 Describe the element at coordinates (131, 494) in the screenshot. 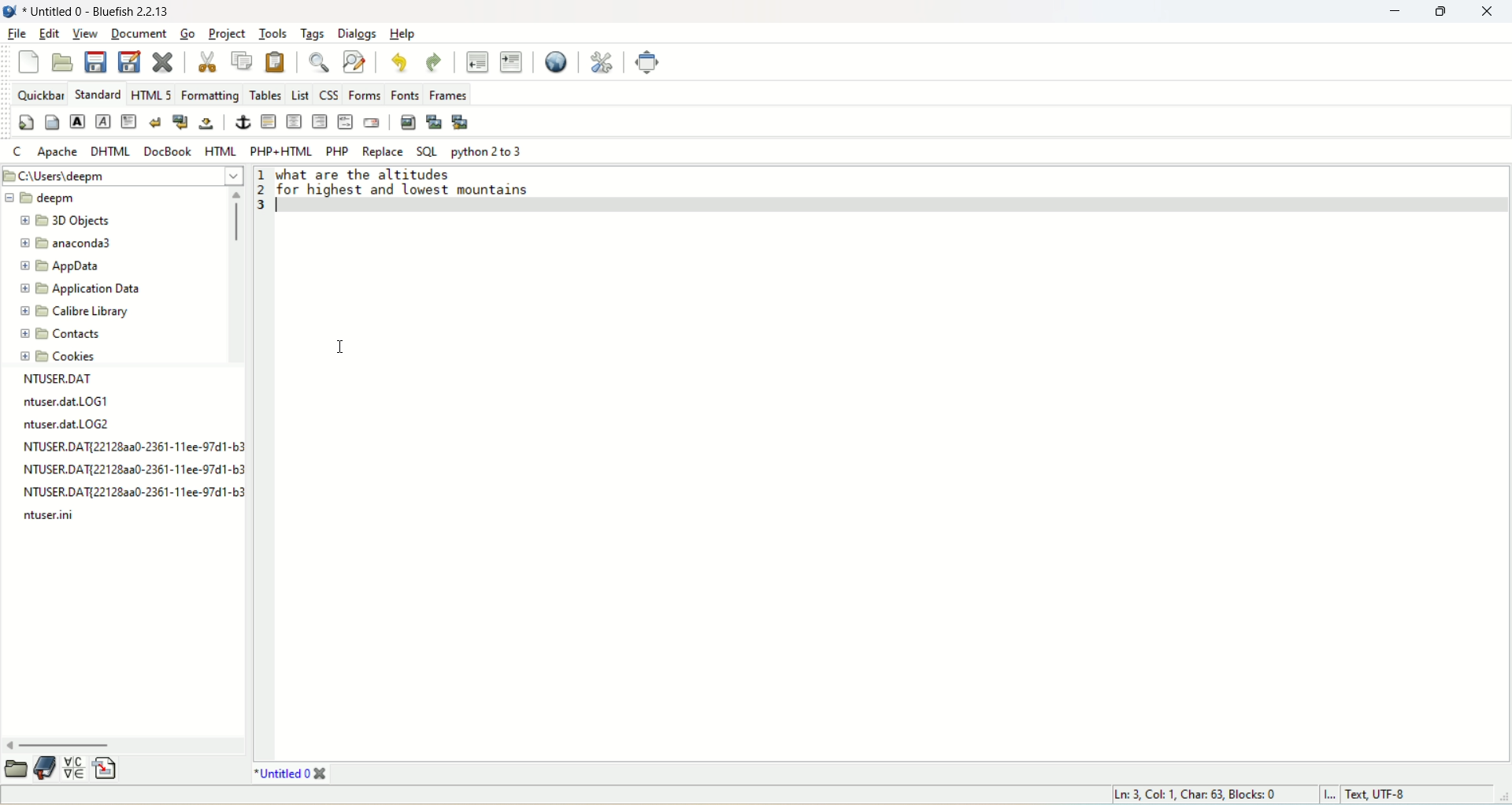

I see `NTUSER.DAT{22128aa0-2361-11ee-97d1-b3` at that location.